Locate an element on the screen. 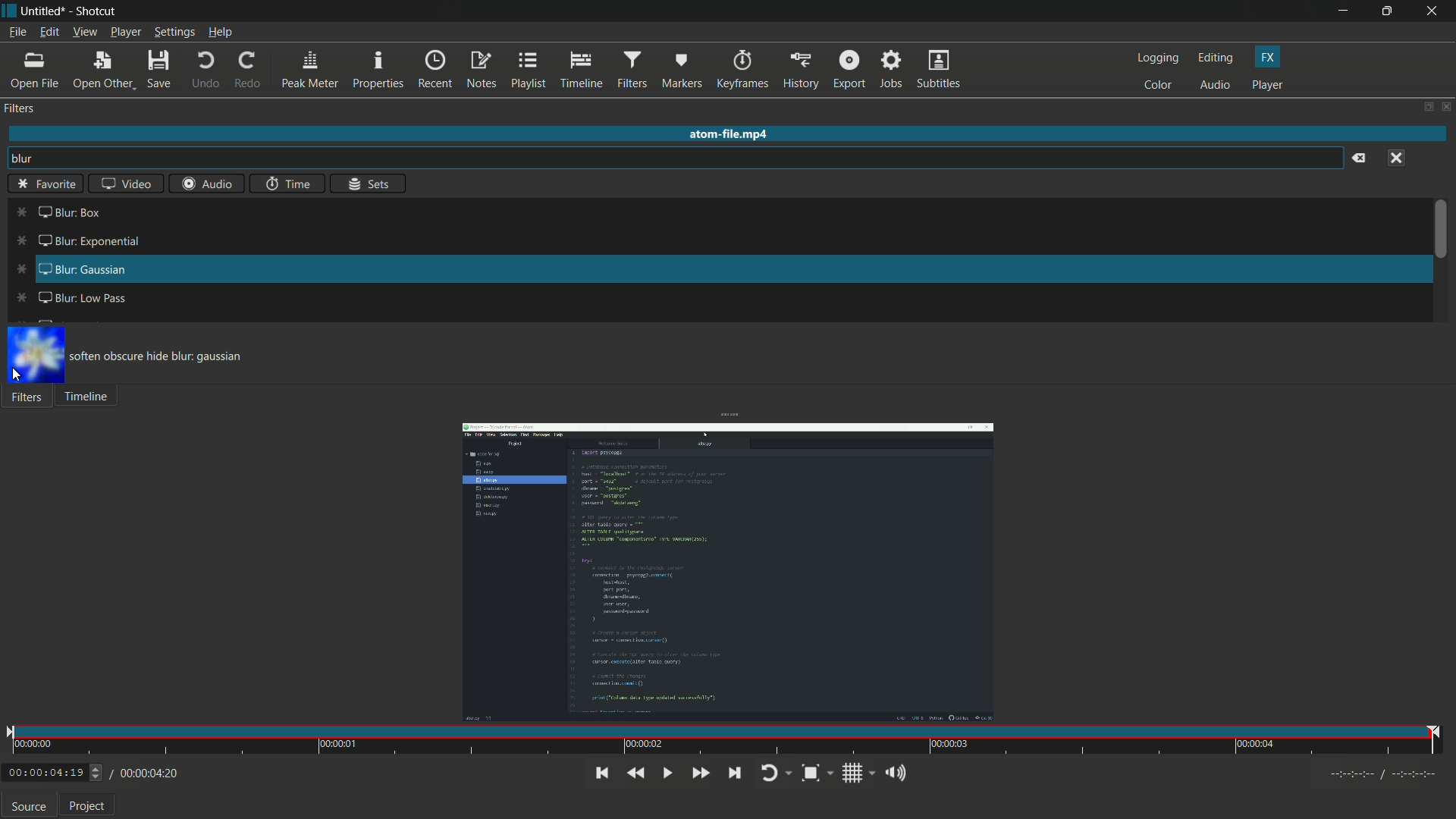 This screenshot has width=1456, height=819. Scroll bar is located at coordinates (1442, 235).